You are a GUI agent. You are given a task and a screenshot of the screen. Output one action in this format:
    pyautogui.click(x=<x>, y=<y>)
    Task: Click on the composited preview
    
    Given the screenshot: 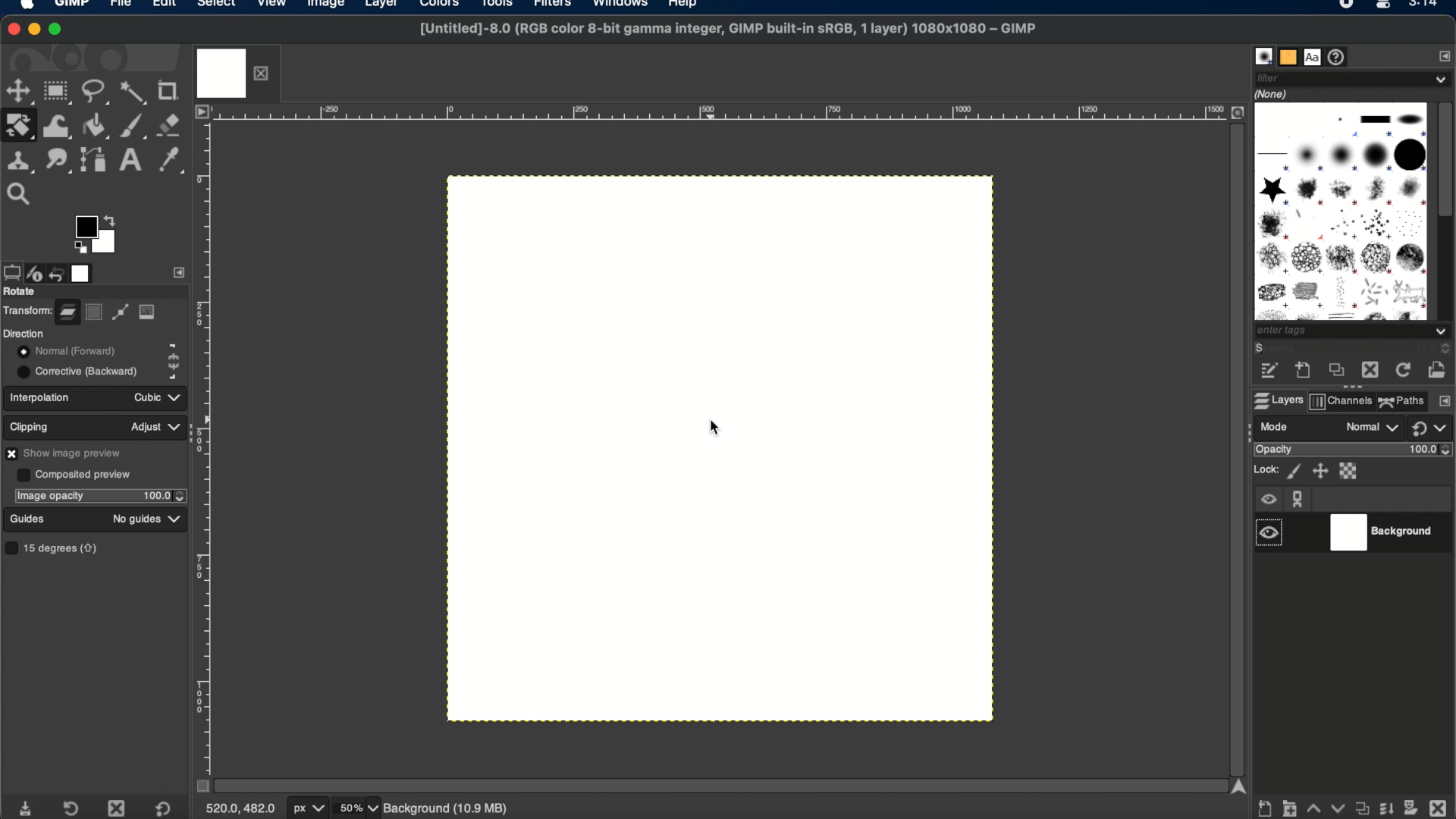 What is the action you would take?
    pyautogui.click(x=74, y=474)
    